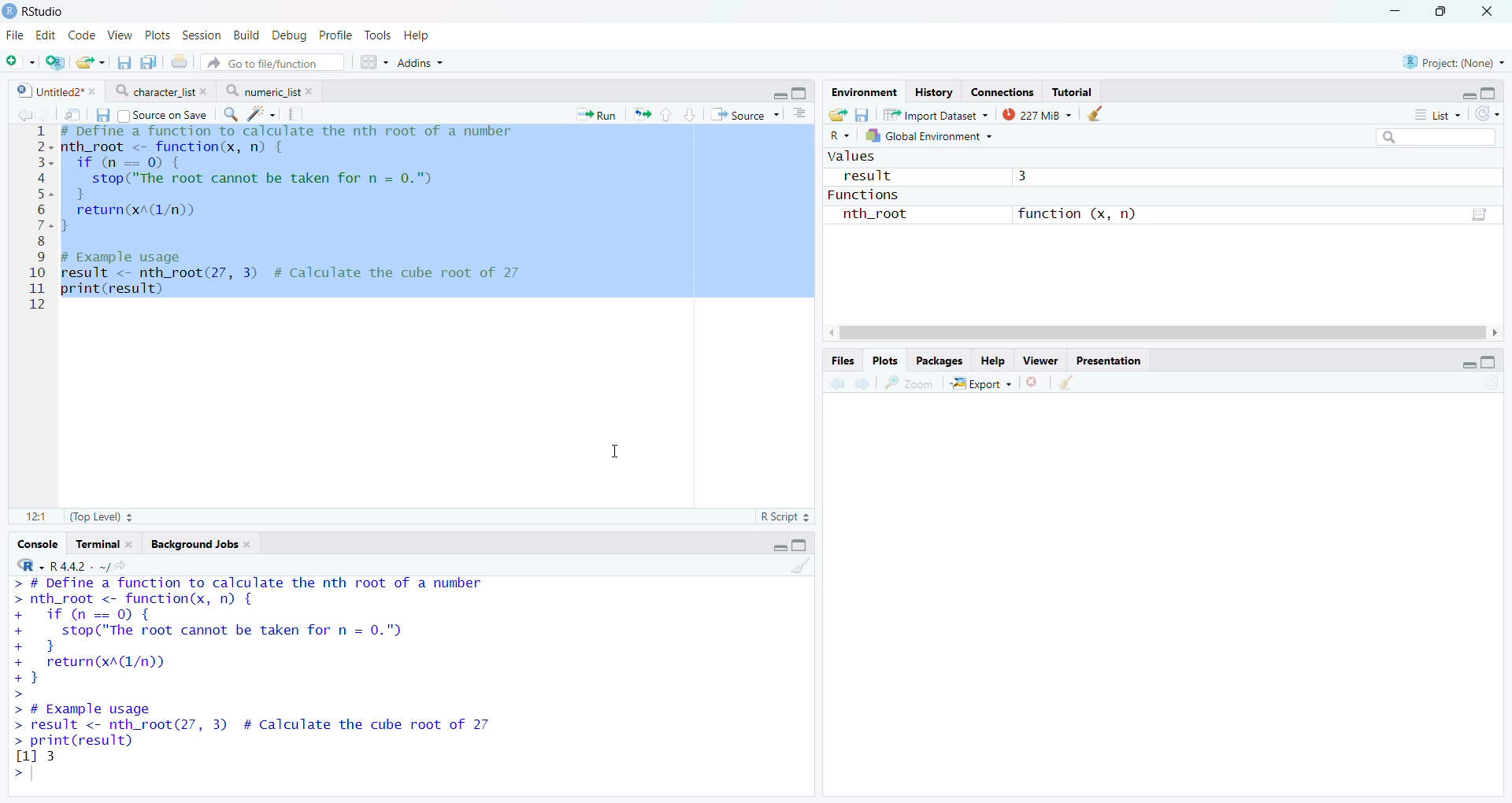 This screenshot has width=1512, height=803. What do you see at coordinates (202, 542) in the screenshot?
I see `Background Jobs` at bounding box center [202, 542].